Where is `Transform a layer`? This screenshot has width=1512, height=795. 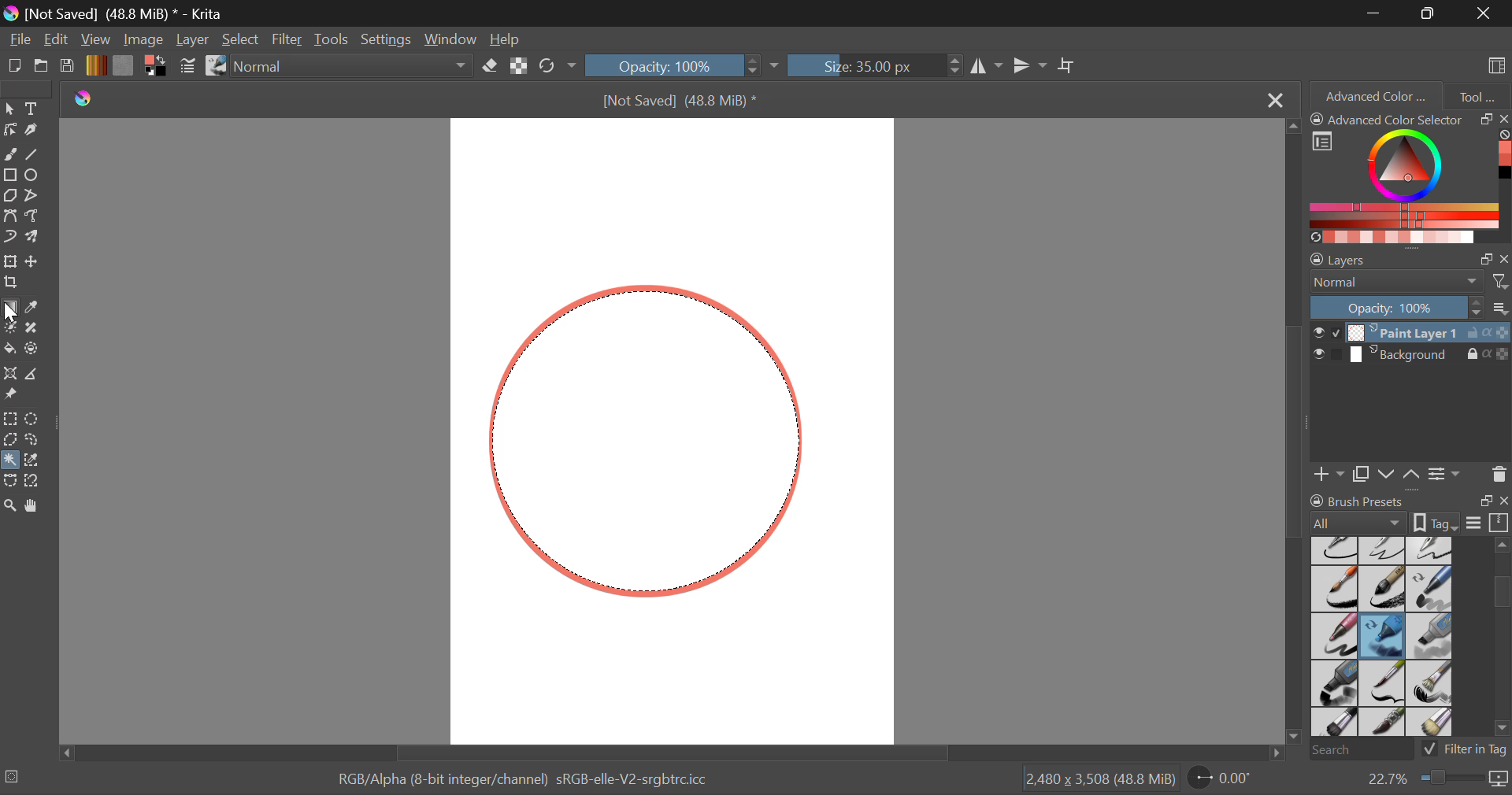
Transform a layer is located at coordinates (9, 261).